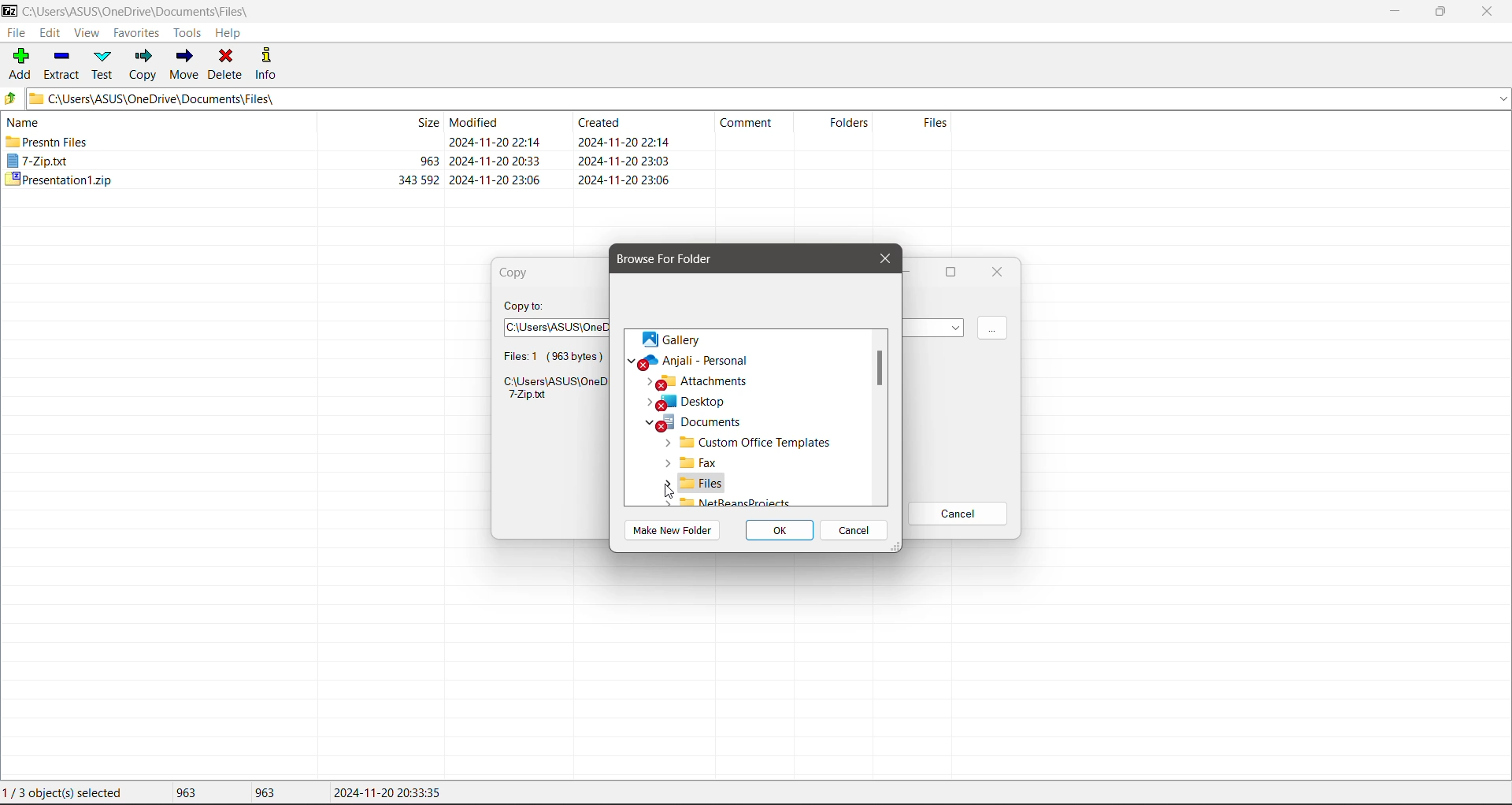 This screenshot has width=1512, height=805. I want to click on Files, so click(917, 131).